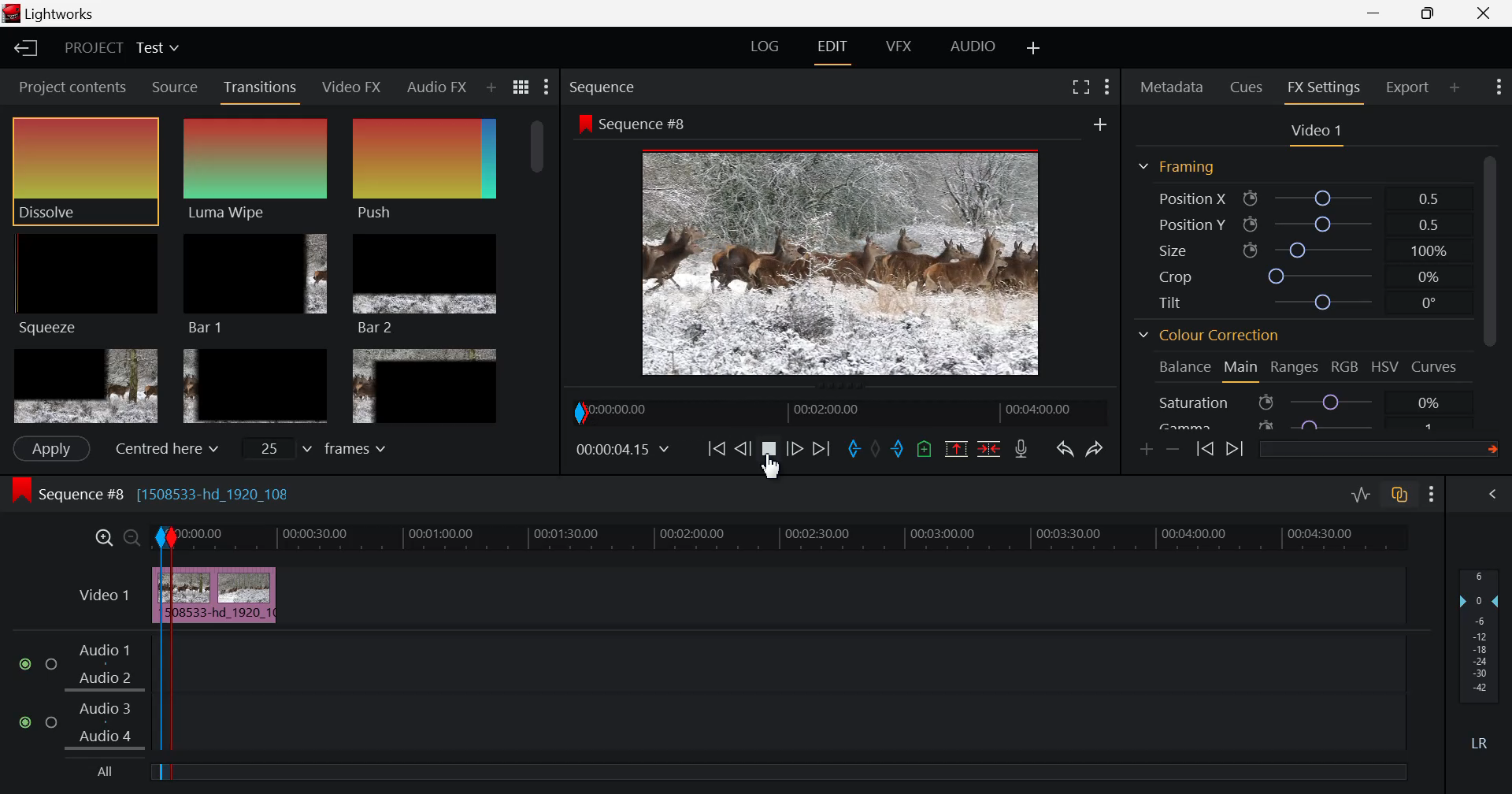 The image size is (1512, 794). Describe the element at coordinates (1400, 495) in the screenshot. I see `Toggle auto track sync` at that location.